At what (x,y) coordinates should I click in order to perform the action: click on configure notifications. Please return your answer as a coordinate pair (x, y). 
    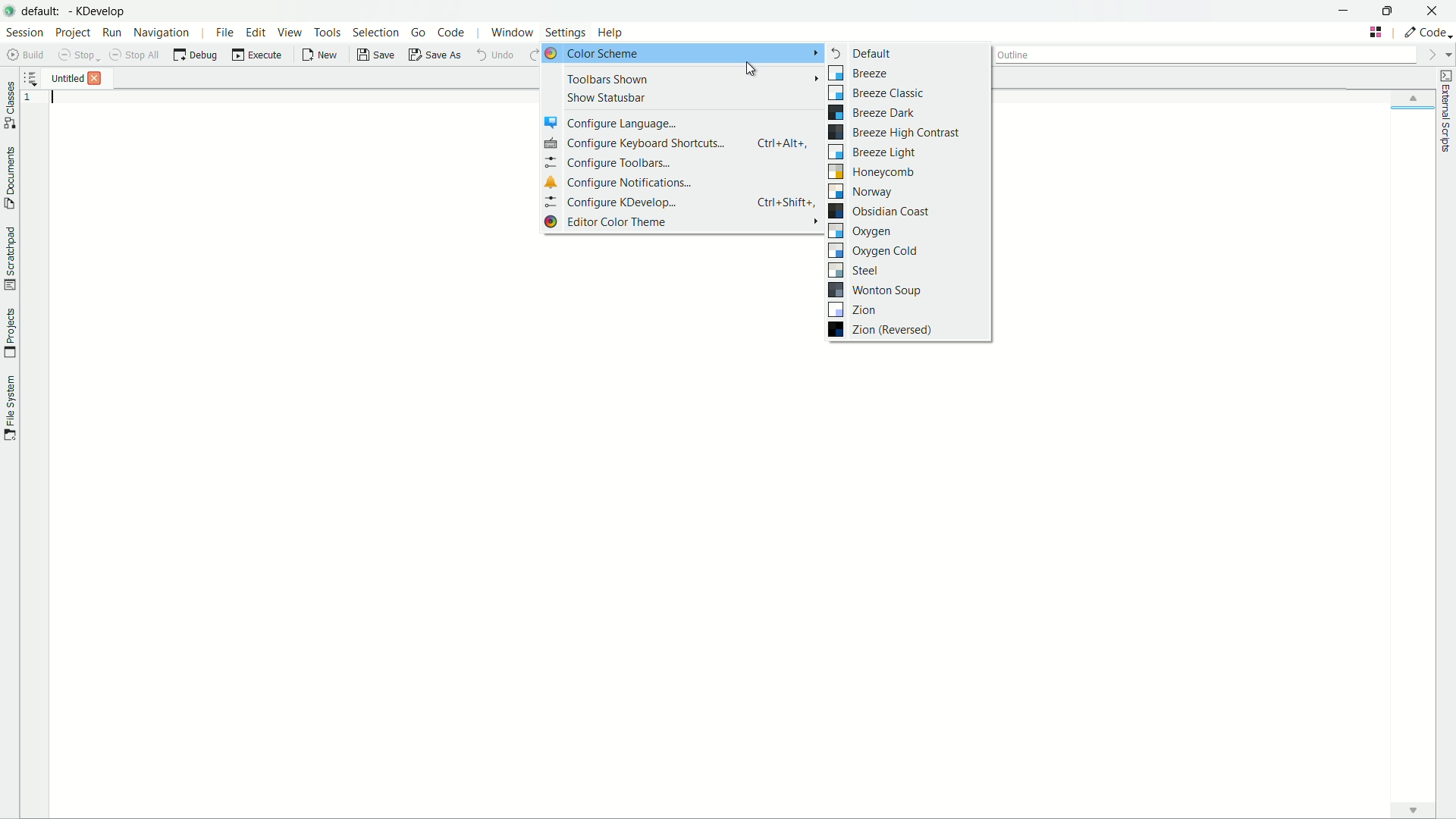
    Looking at the image, I should click on (617, 183).